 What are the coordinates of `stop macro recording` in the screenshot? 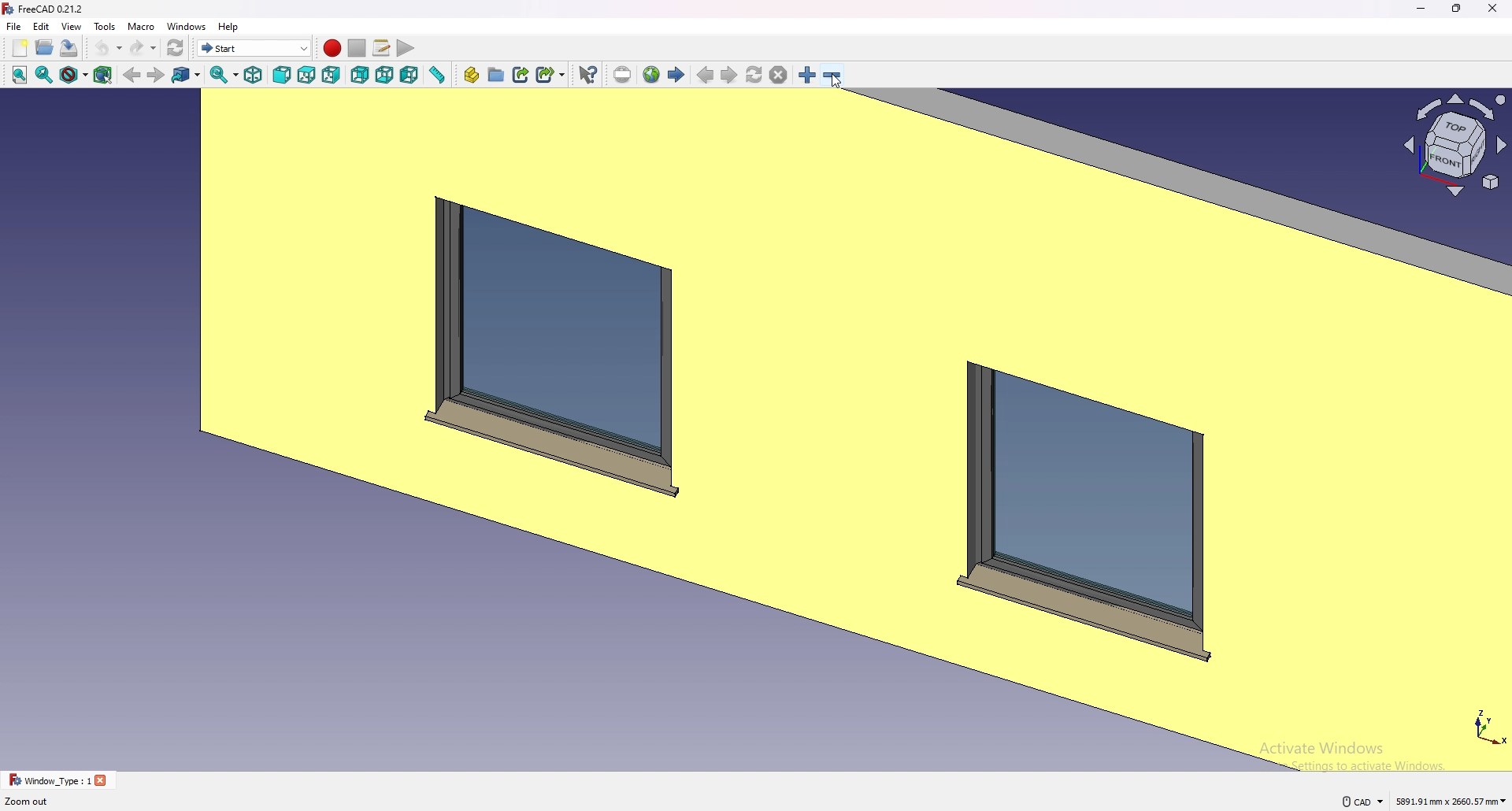 It's located at (358, 49).